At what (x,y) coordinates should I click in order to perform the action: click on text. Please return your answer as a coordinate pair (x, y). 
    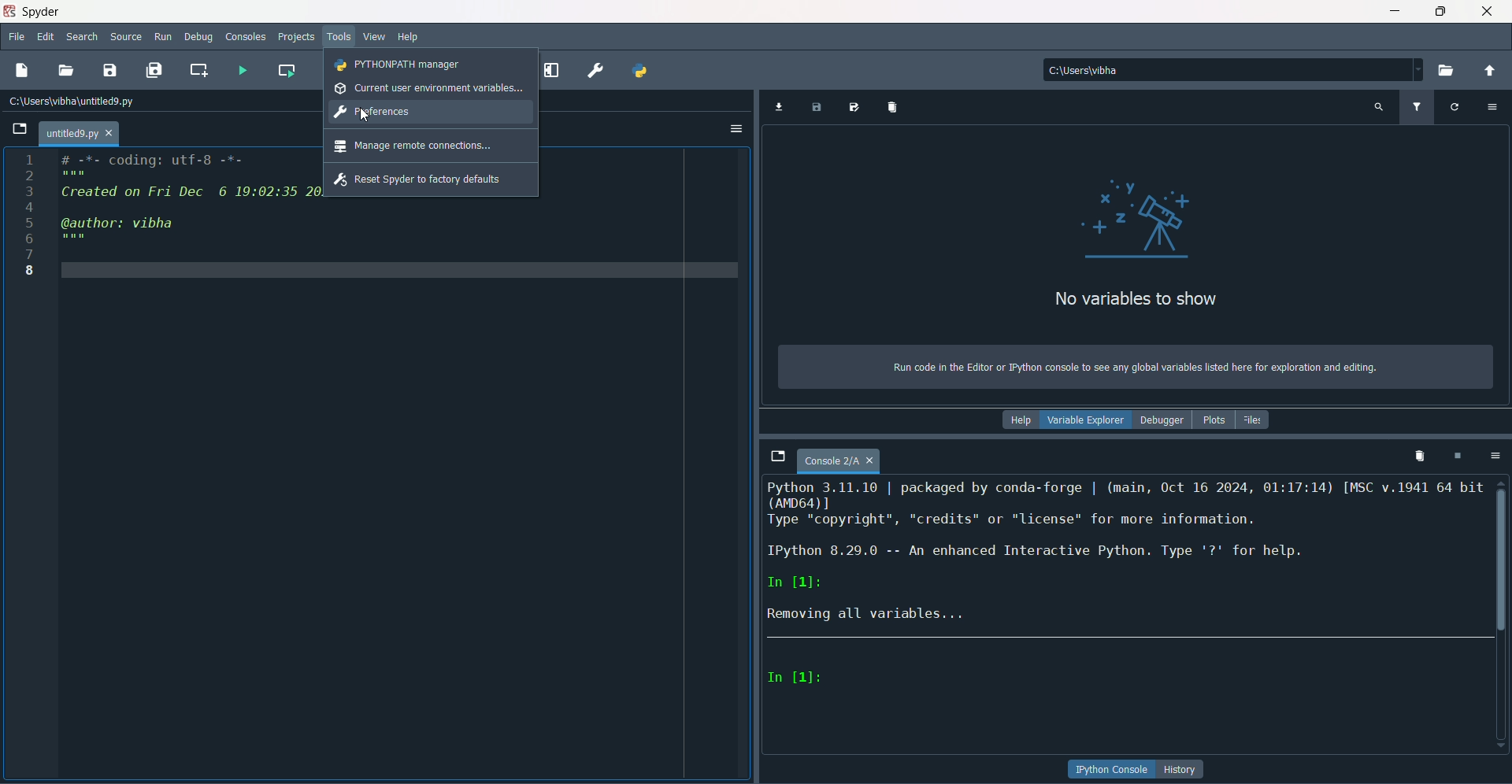
    Looking at the image, I should click on (1126, 555).